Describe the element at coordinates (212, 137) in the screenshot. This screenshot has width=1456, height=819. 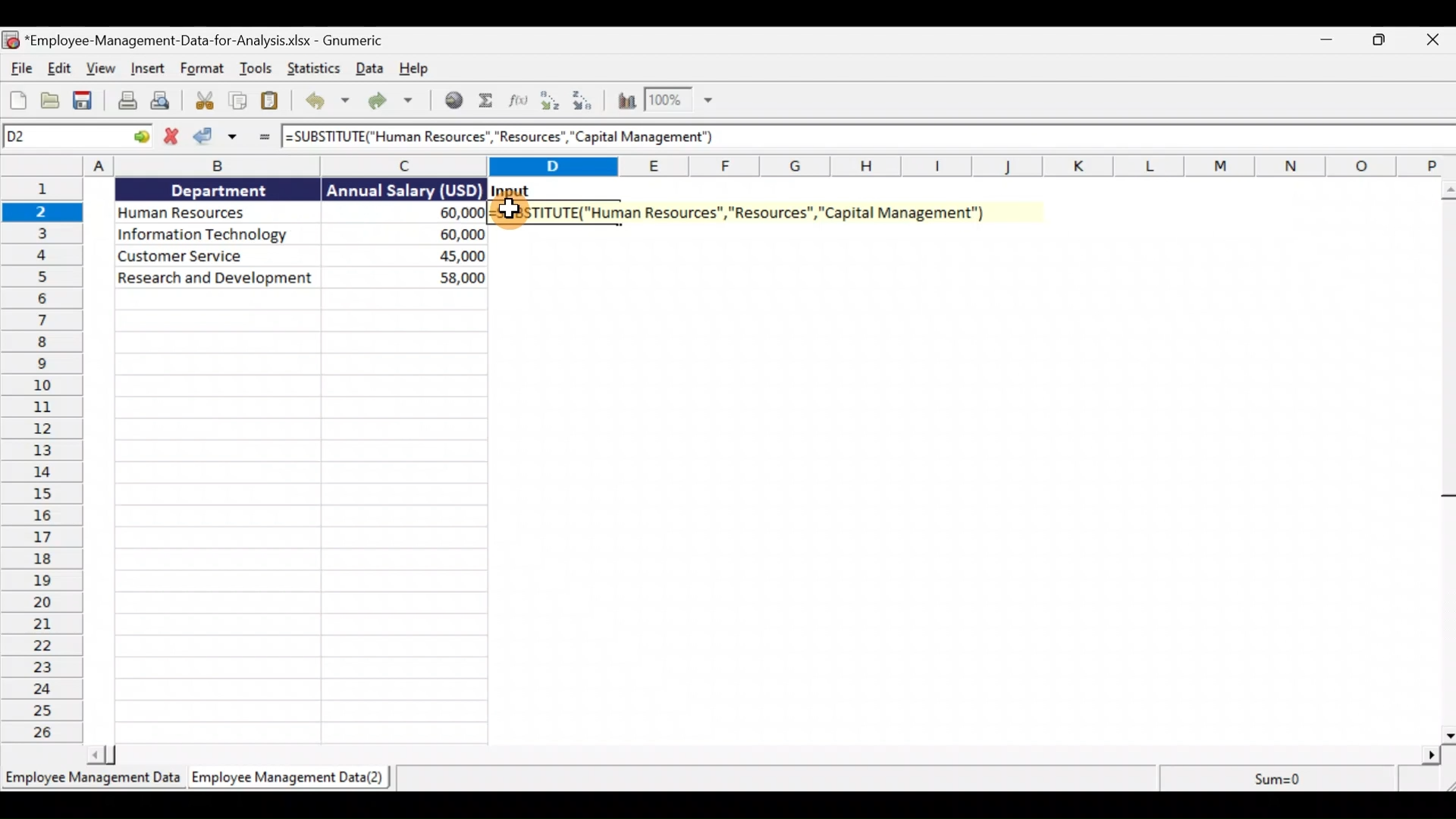
I see `Accept change` at that location.